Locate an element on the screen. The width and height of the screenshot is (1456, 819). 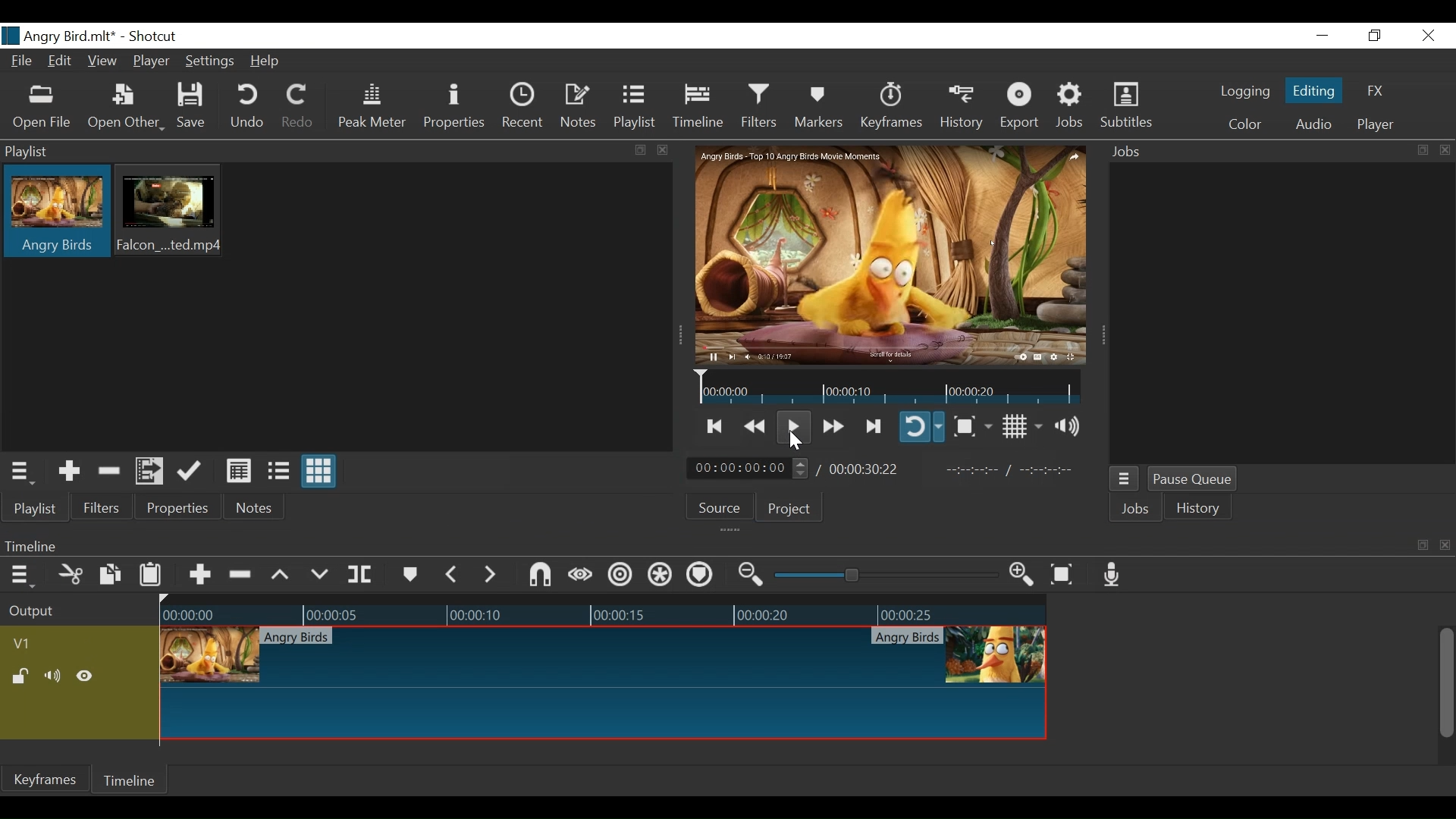
Add the Source to the playlist is located at coordinates (67, 471).